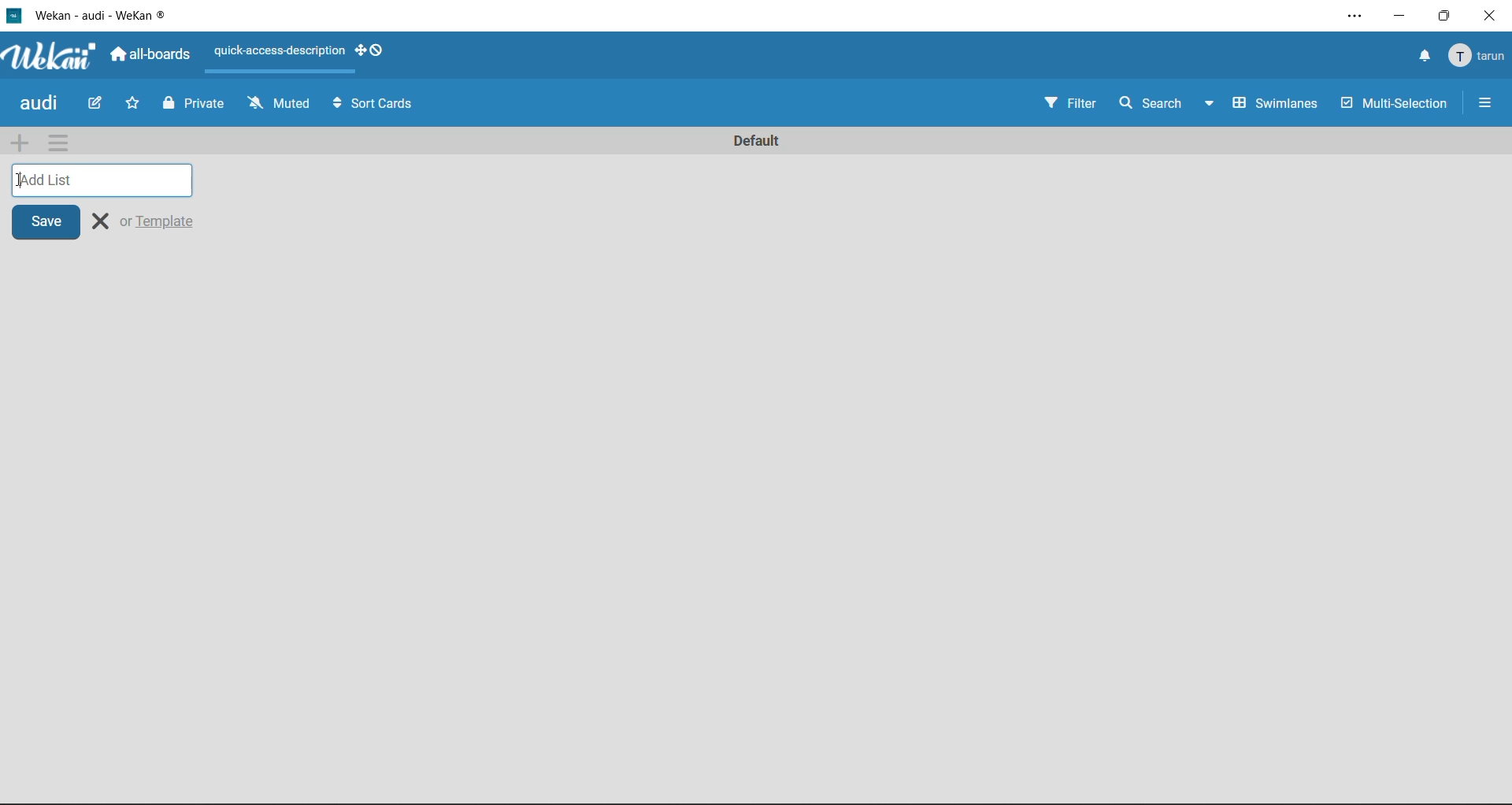 The image size is (1512, 805). I want to click on swimlanes, so click(1277, 103).